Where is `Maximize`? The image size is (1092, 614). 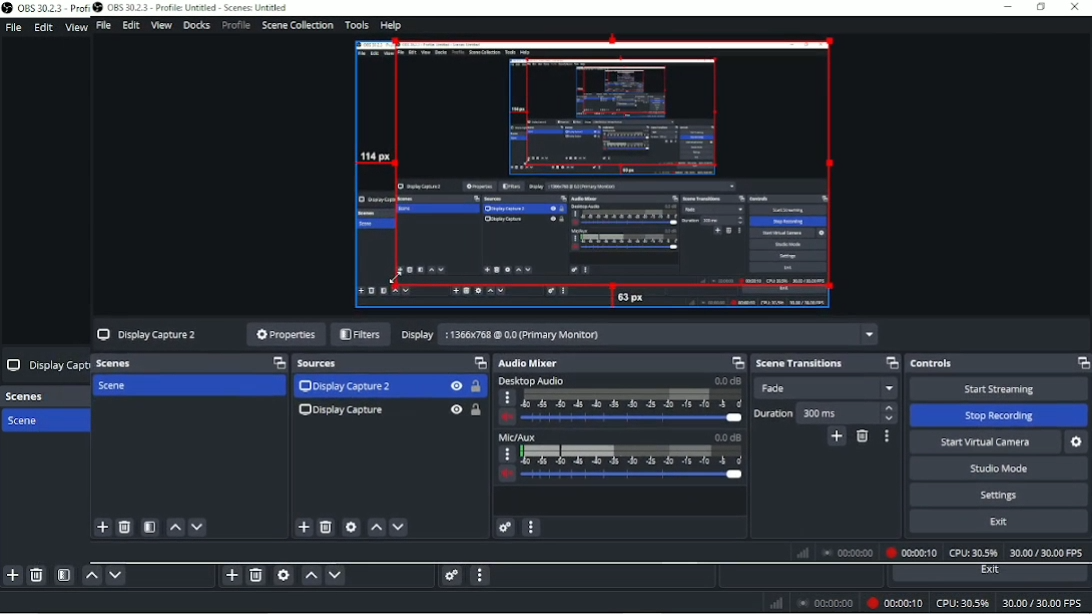
Maximize is located at coordinates (892, 363).